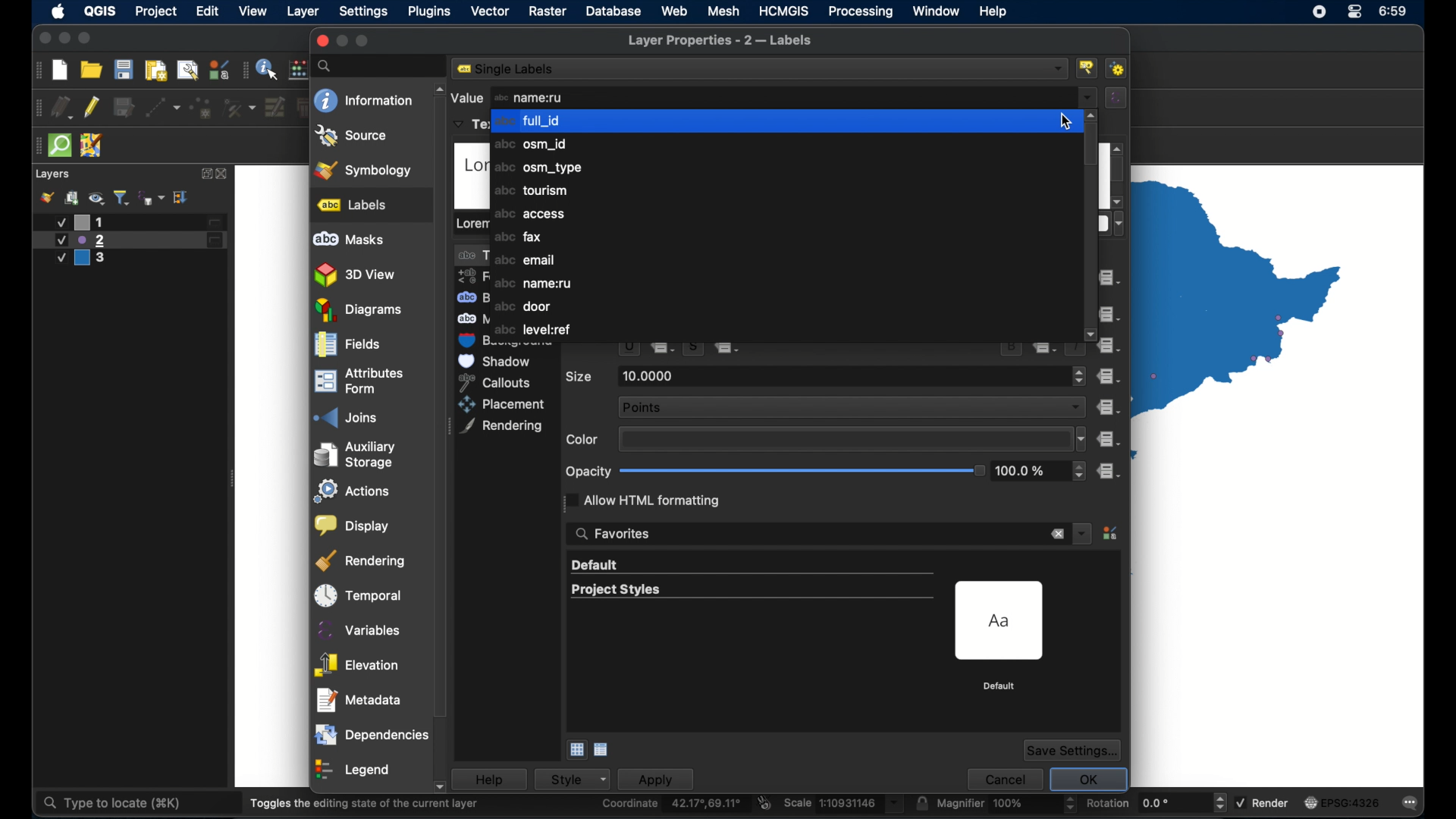 The width and height of the screenshot is (1456, 819). I want to click on data defined override, so click(1110, 278).